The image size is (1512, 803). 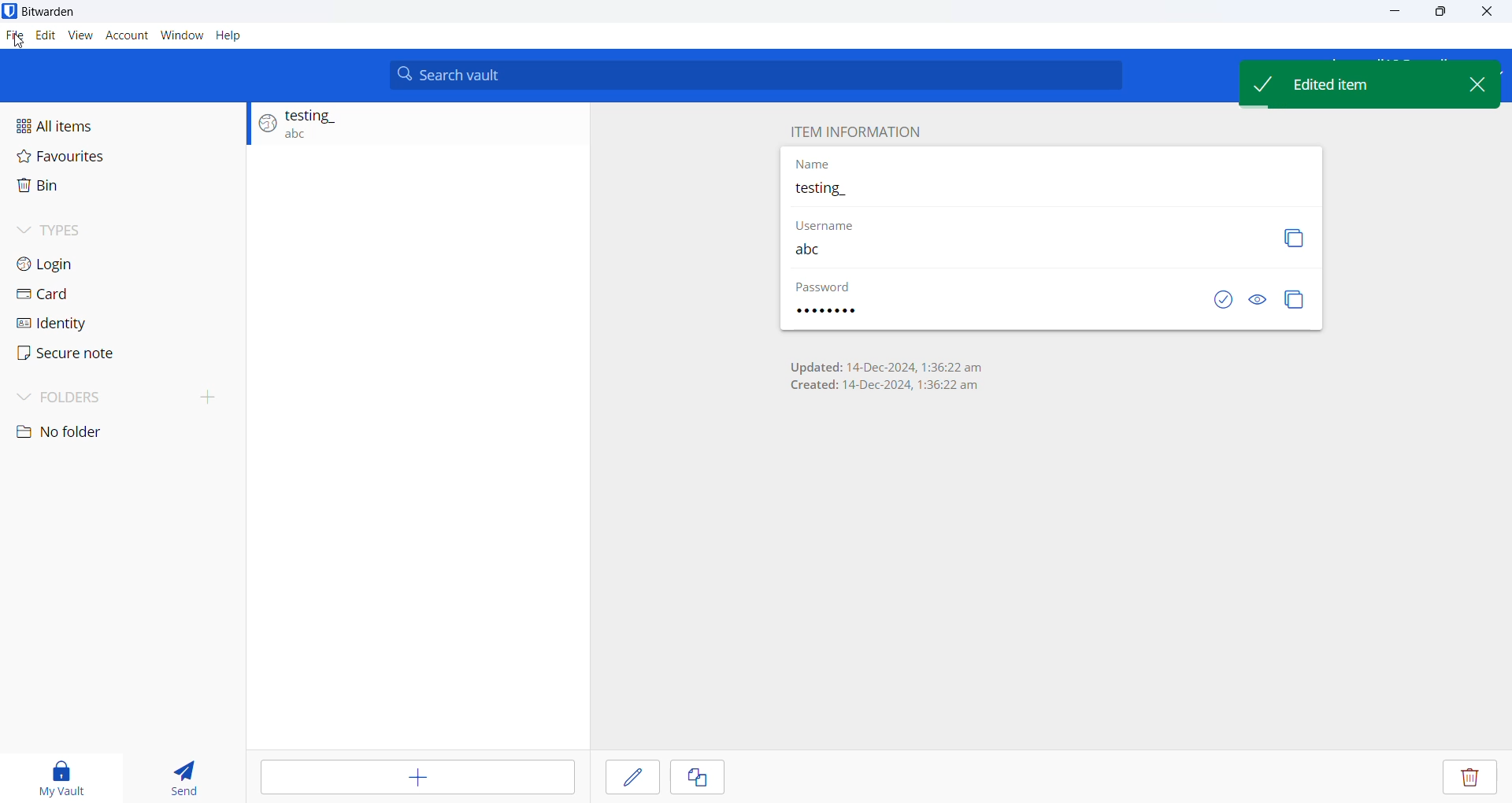 What do you see at coordinates (112, 265) in the screenshot?
I see `Login` at bounding box center [112, 265].